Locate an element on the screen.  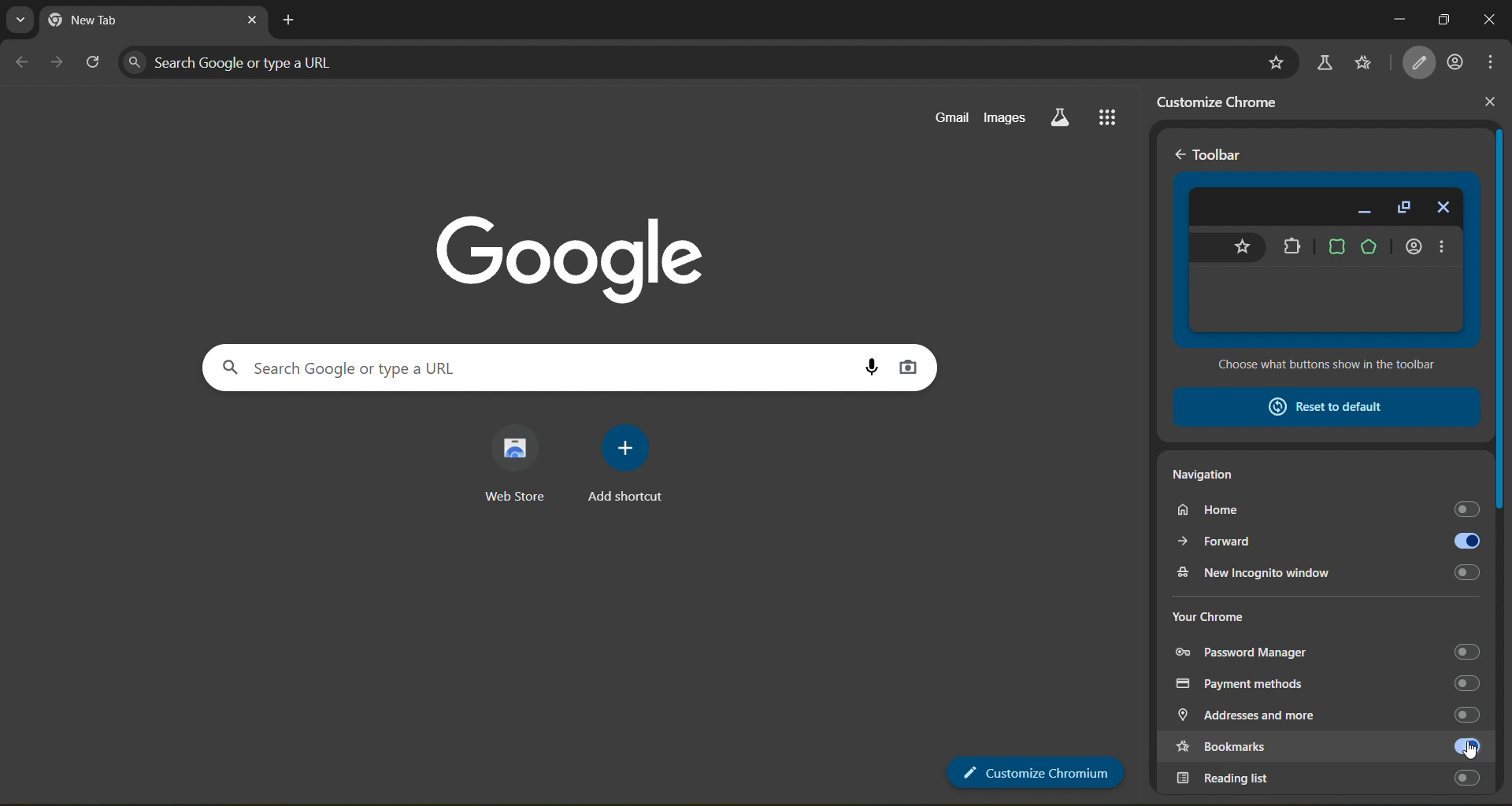
home is located at coordinates (1326, 511).